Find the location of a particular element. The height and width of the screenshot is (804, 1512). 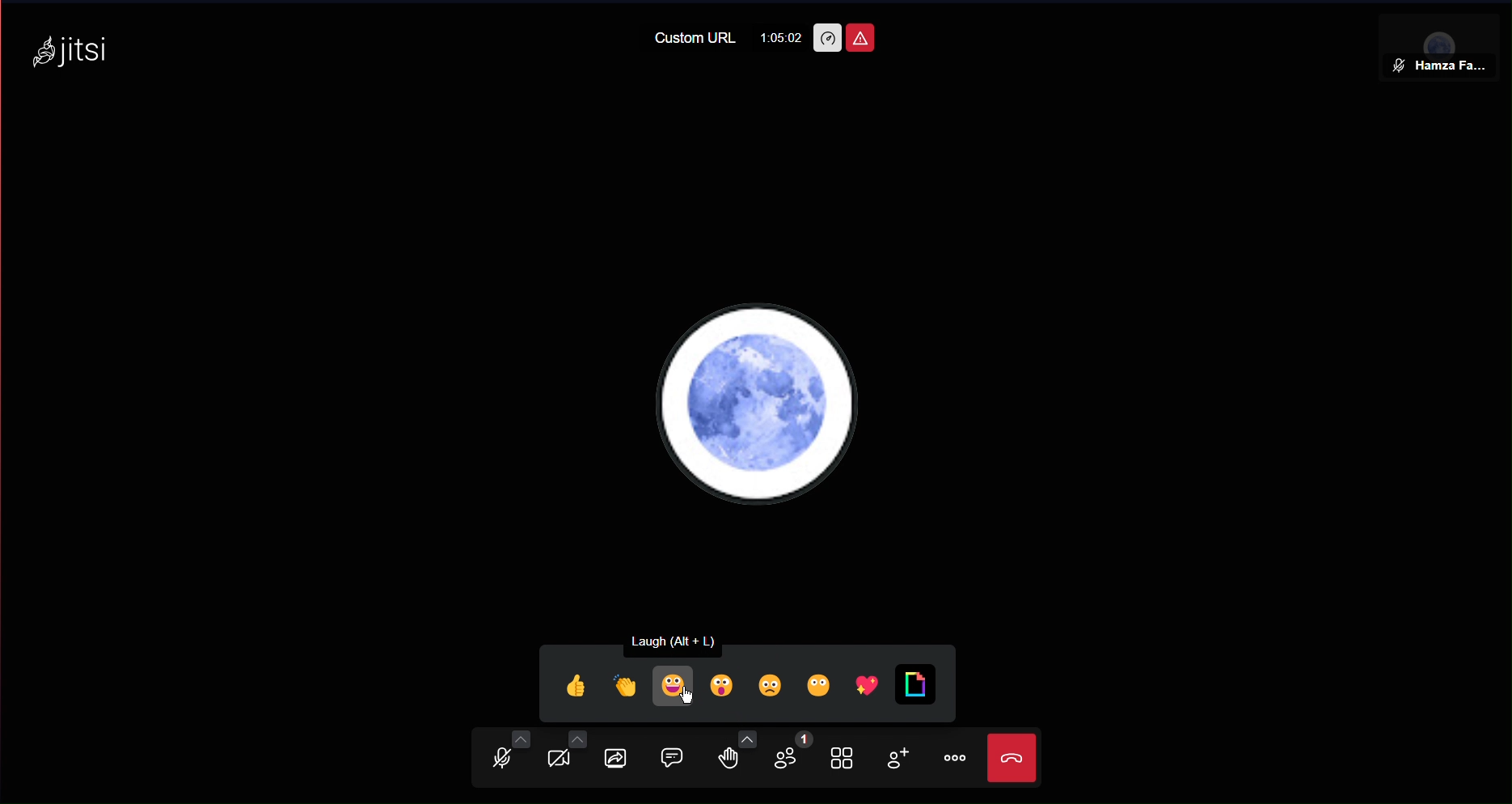

Video is located at coordinates (562, 757).